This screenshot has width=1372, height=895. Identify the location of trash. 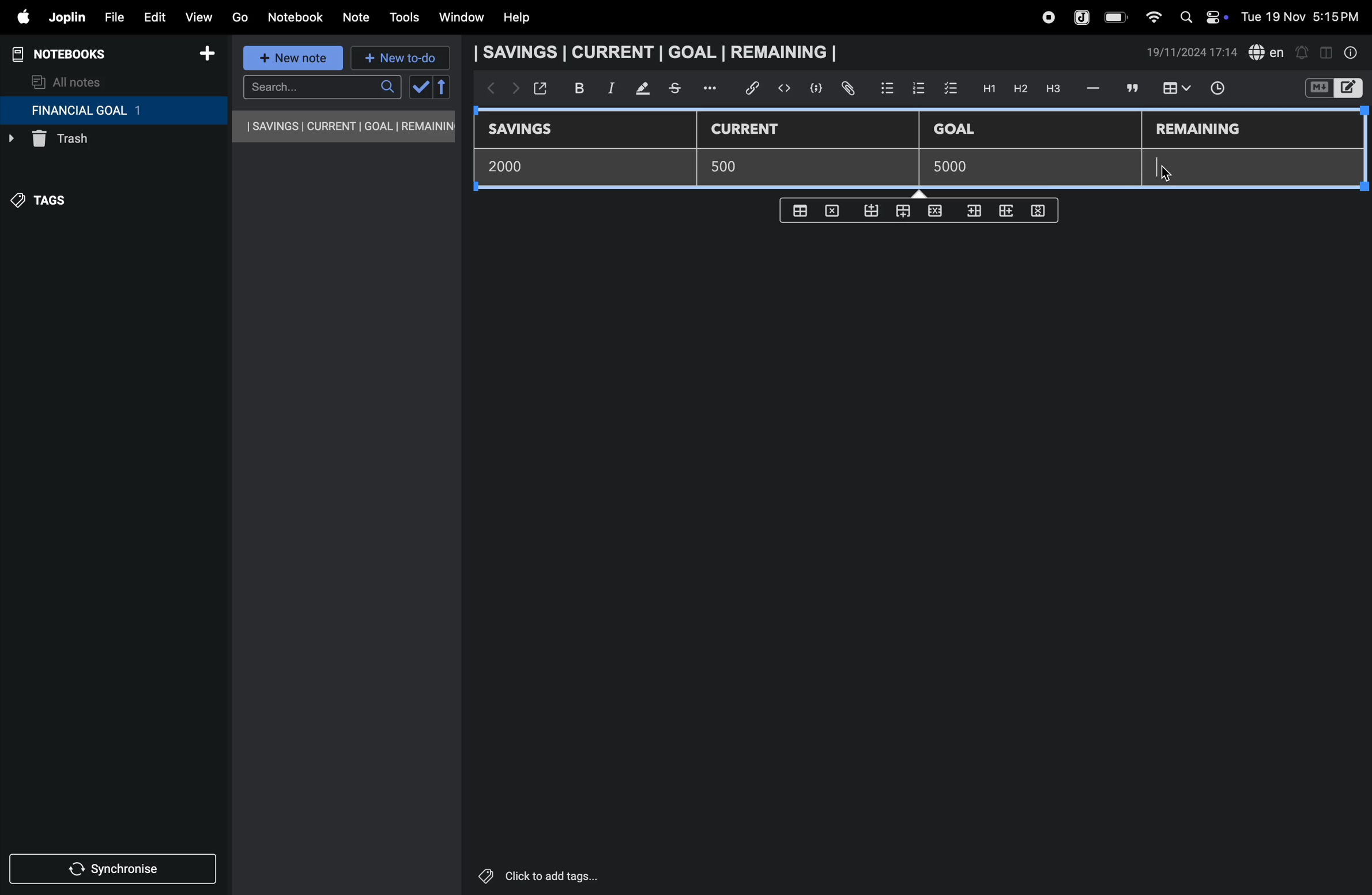
(89, 142).